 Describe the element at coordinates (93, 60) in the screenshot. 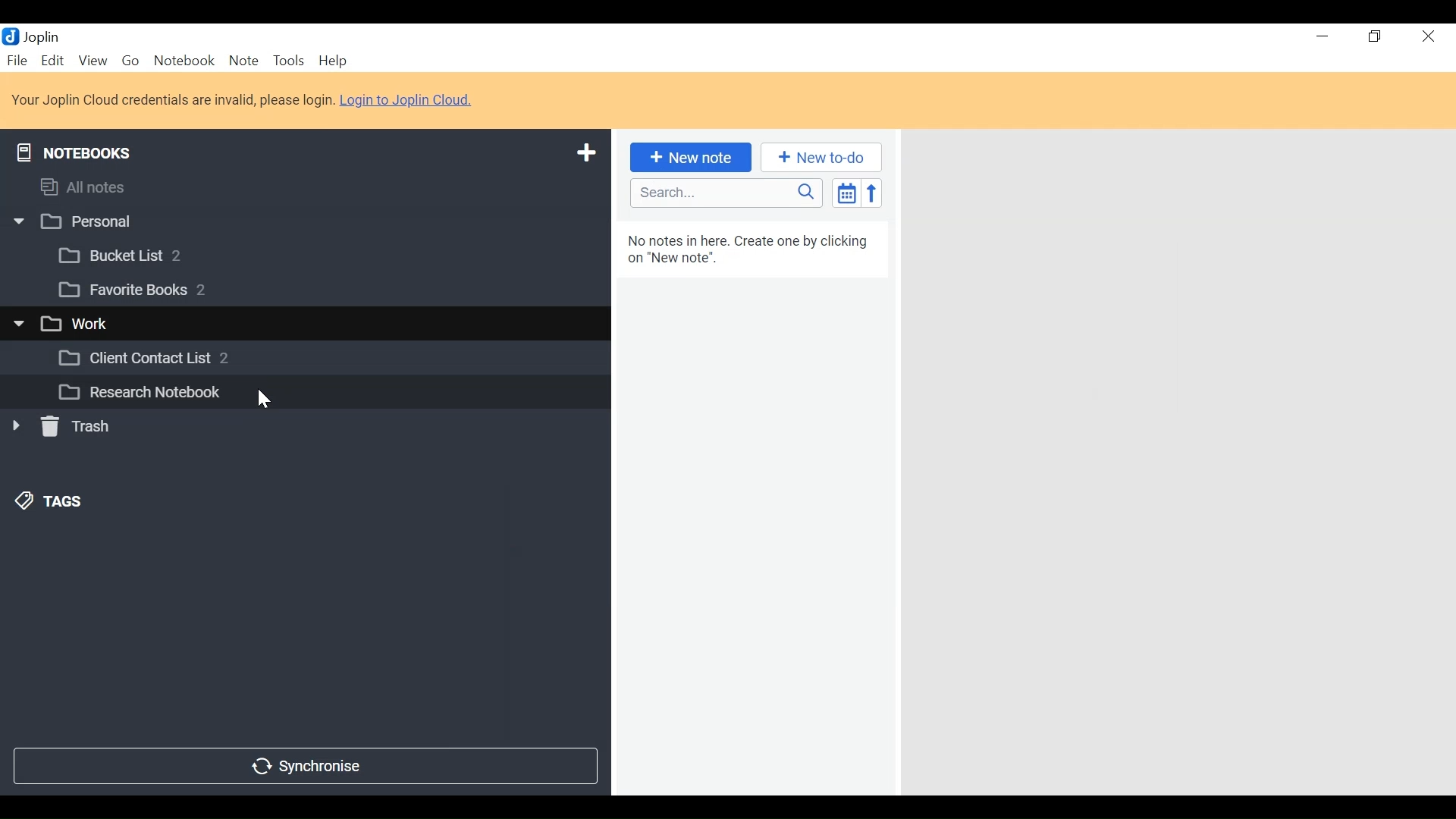

I see `View` at that location.